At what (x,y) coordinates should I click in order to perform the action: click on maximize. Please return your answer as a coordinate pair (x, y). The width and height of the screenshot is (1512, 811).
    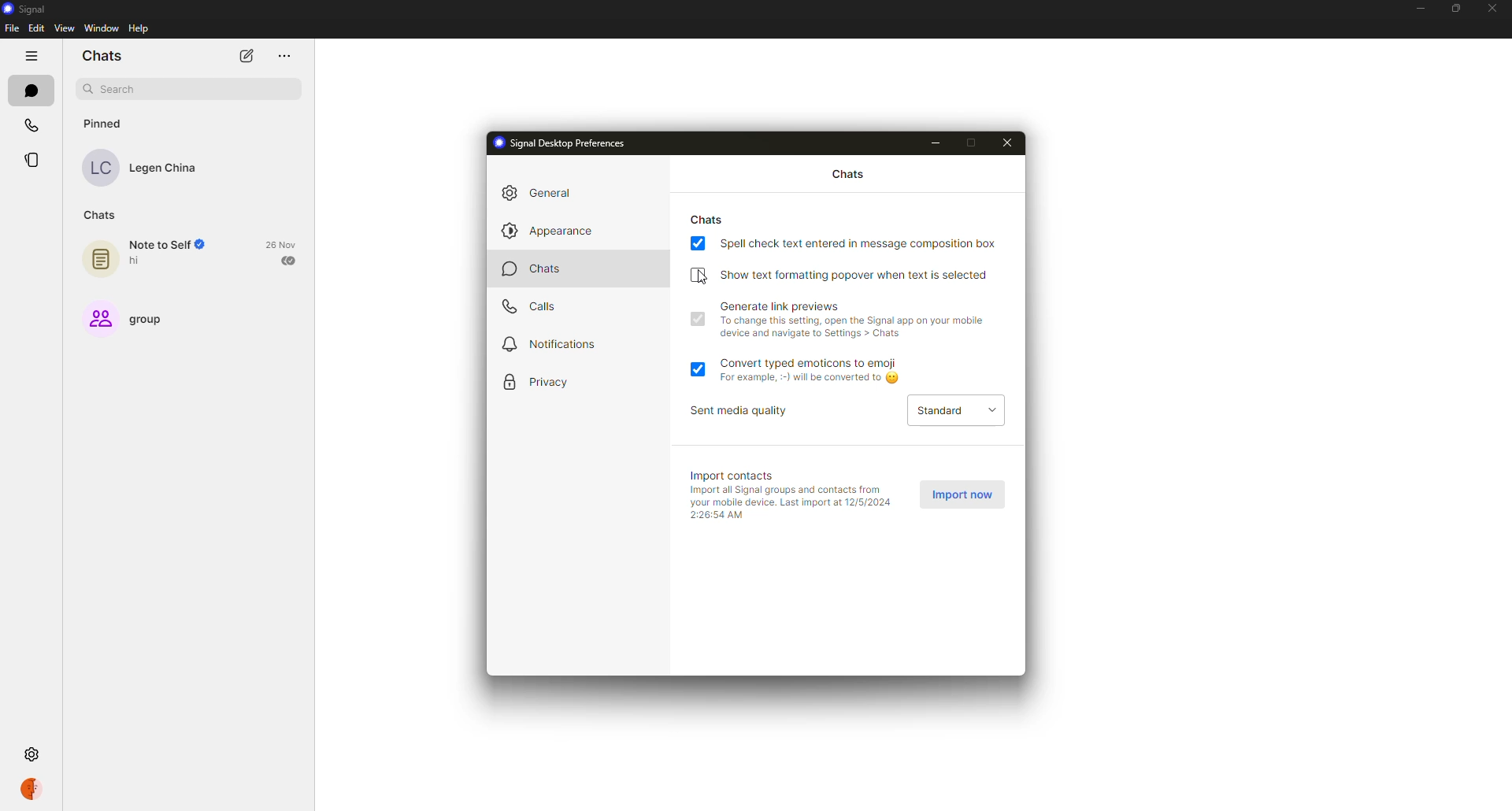
    Looking at the image, I should click on (1453, 8).